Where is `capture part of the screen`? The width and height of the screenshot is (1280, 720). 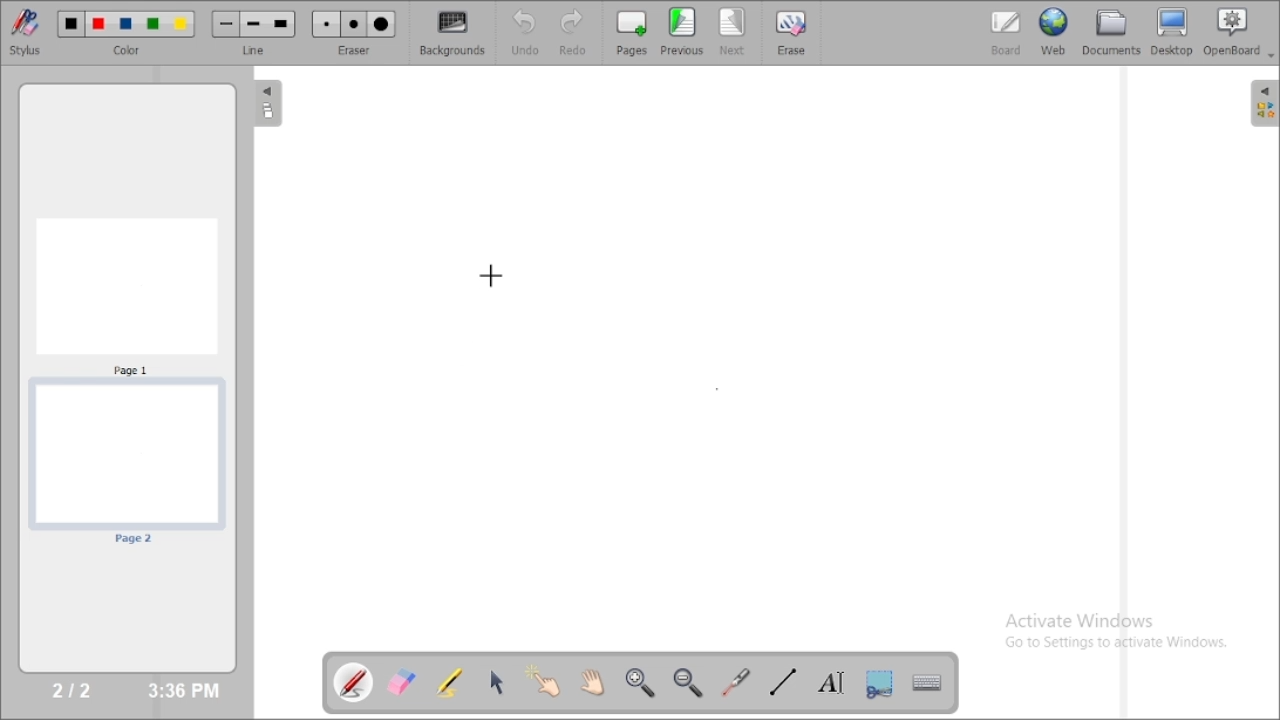
capture part of the screen is located at coordinates (879, 683).